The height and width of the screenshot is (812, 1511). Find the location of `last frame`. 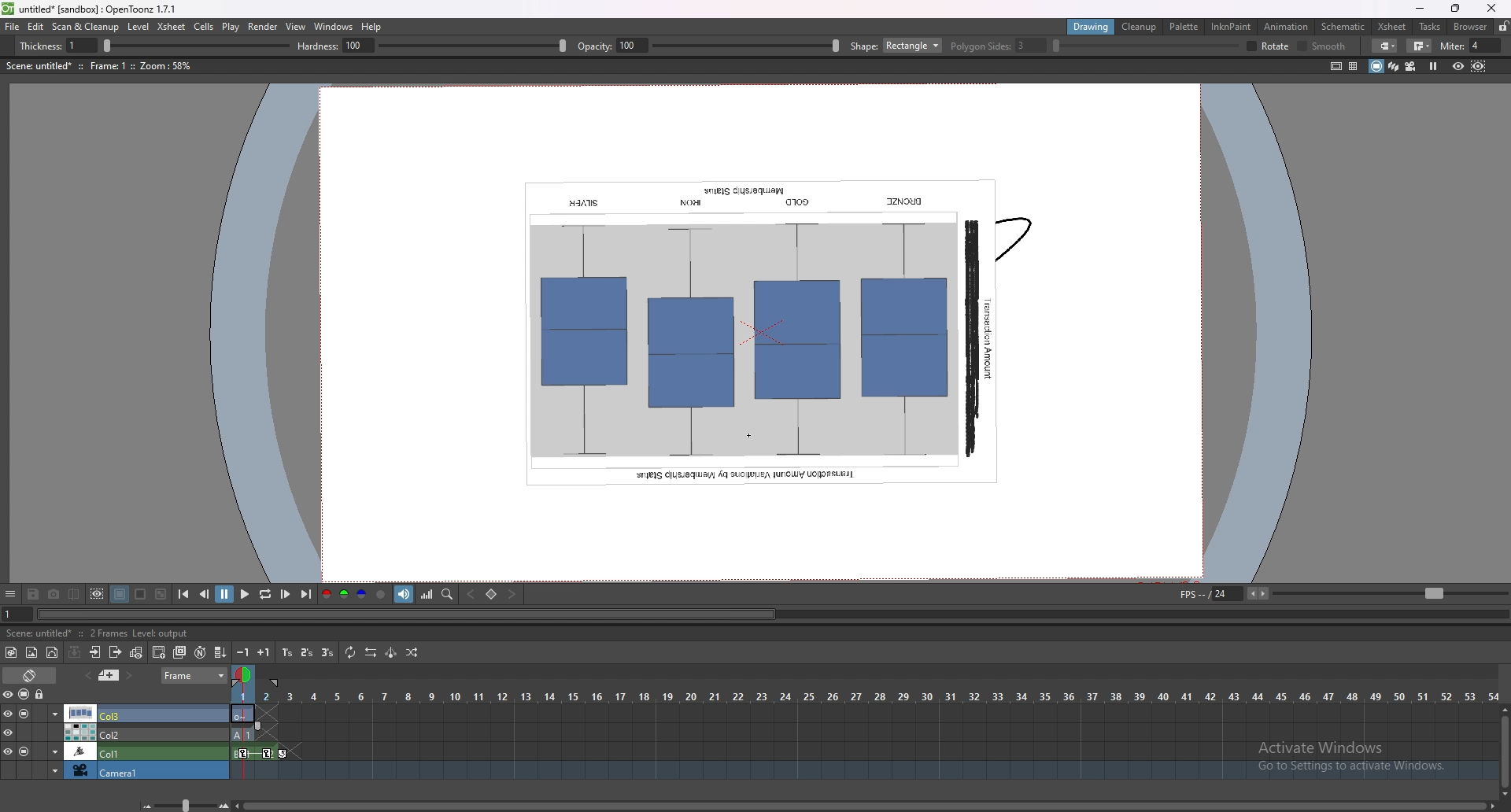

last frame is located at coordinates (305, 594).